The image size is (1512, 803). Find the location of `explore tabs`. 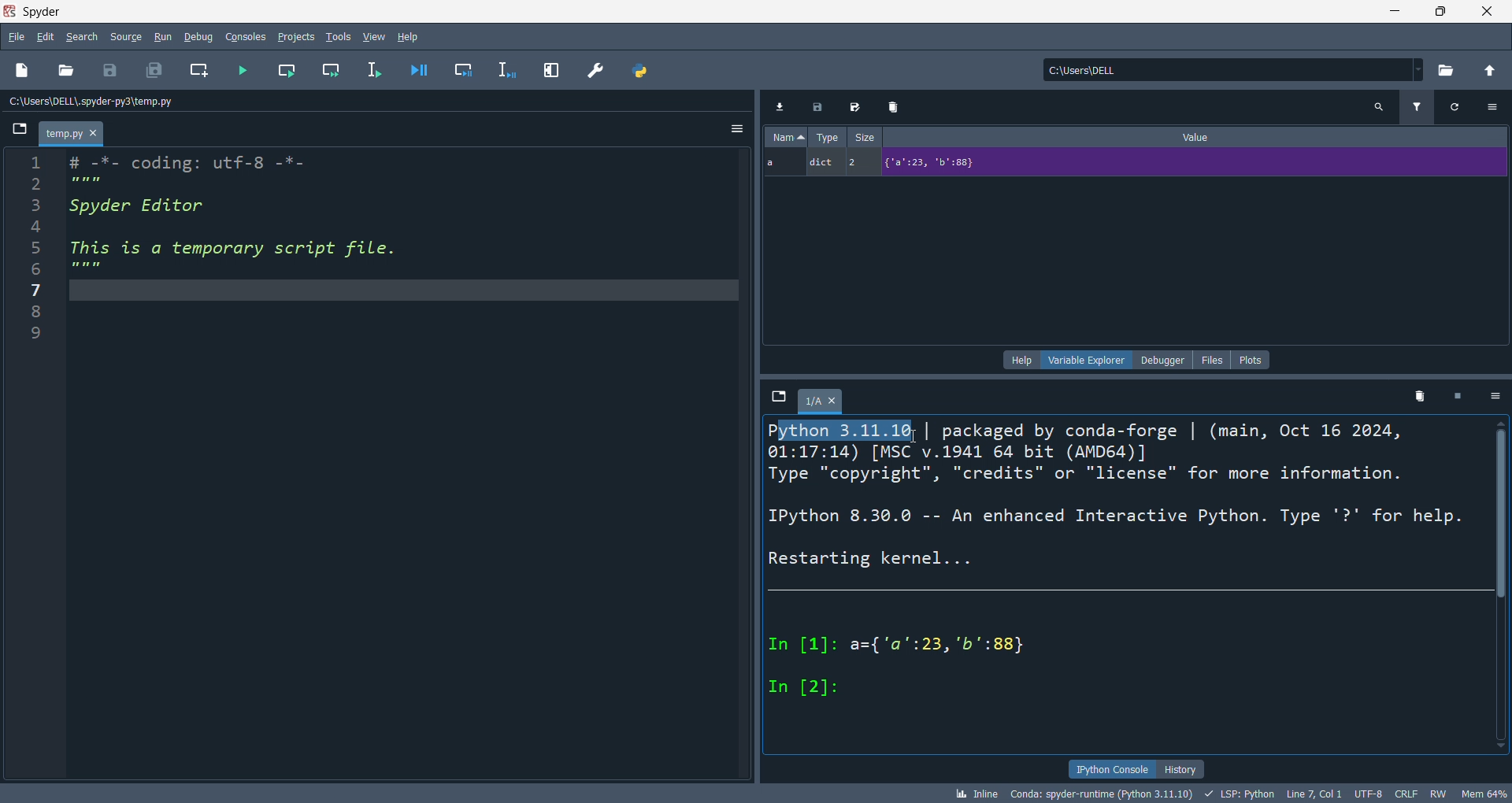

explore tabs is located at coordinates (779, 398).